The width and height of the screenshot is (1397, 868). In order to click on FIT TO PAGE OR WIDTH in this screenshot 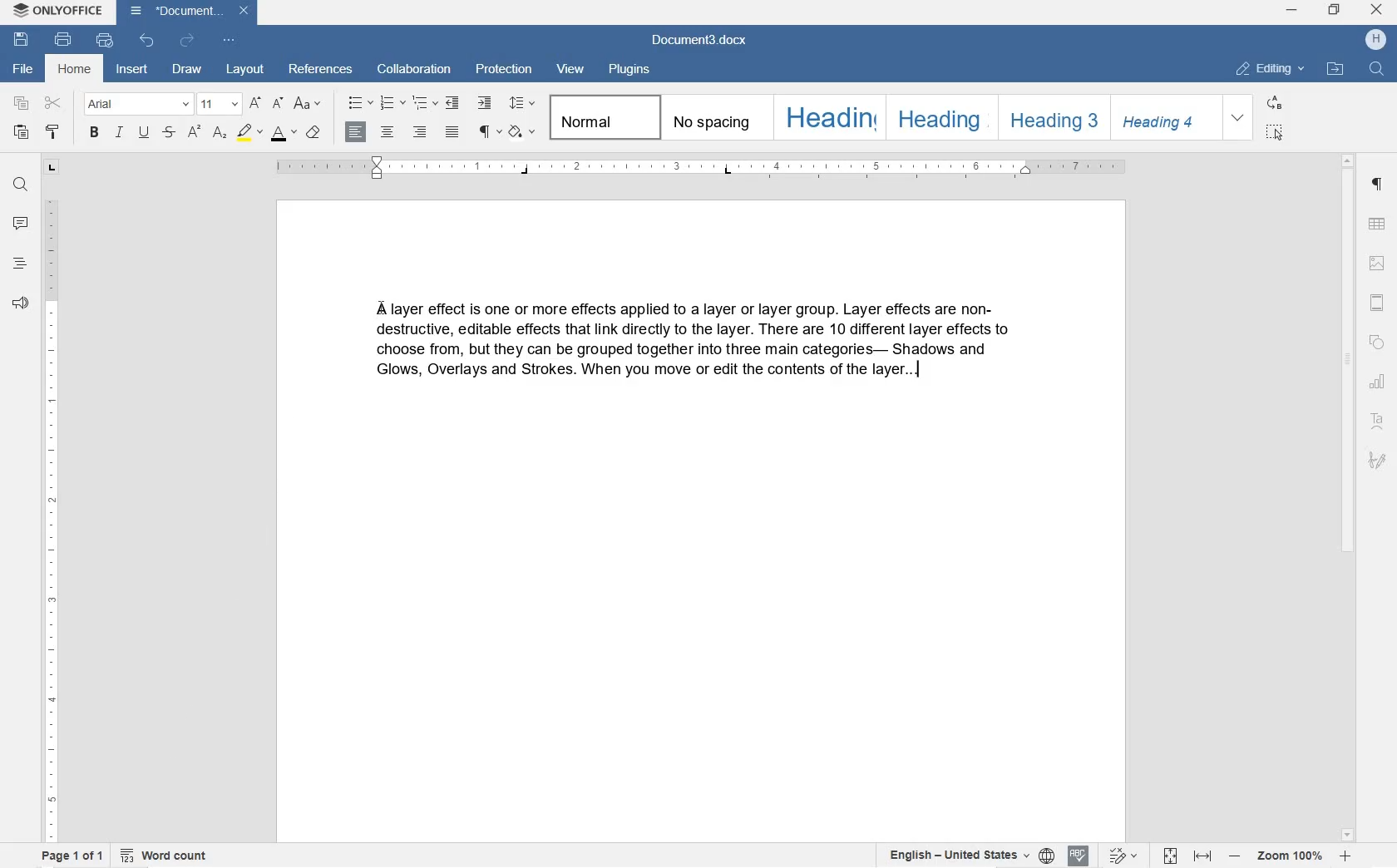, I will do `click(1183, 856)`.